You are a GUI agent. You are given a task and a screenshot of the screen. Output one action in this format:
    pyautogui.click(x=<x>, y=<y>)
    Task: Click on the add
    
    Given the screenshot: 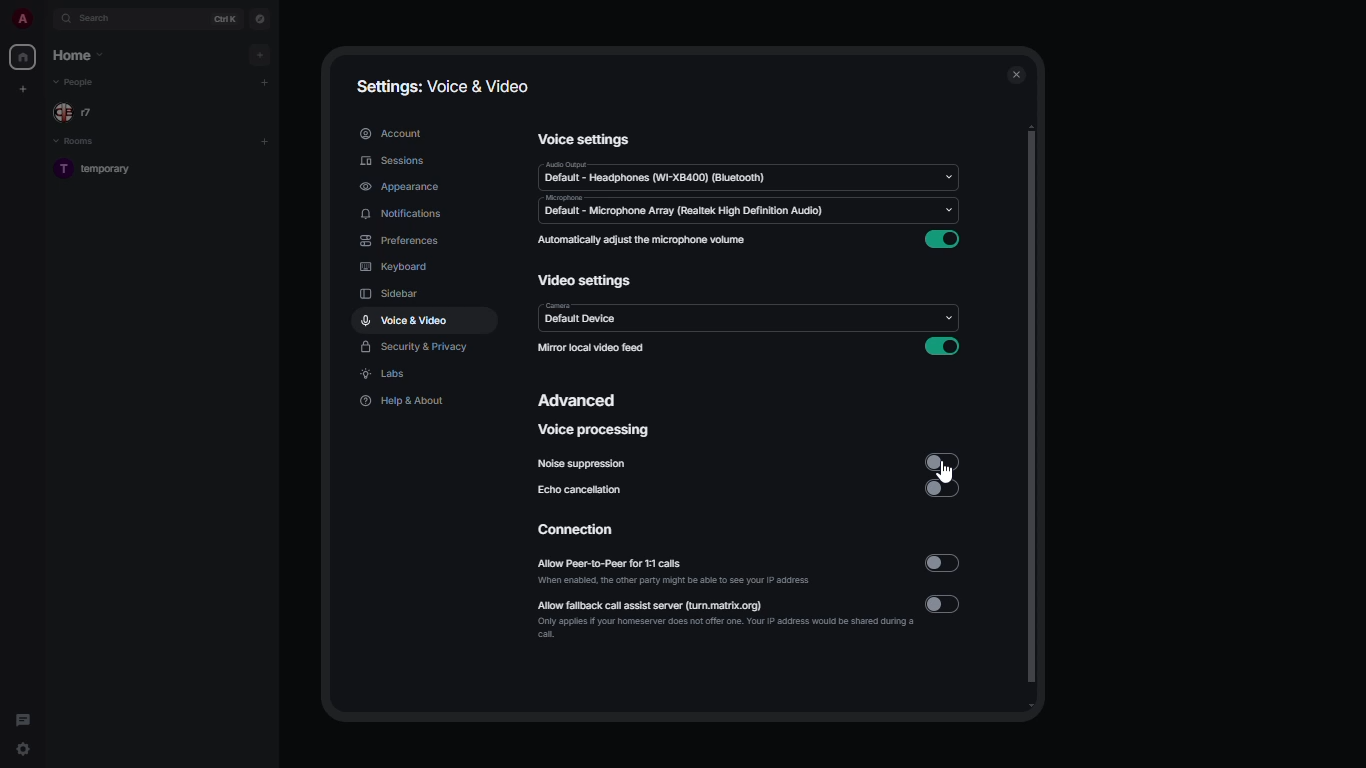 What is the action you would take?
    pyautogui.click(x=266, y=81)
    